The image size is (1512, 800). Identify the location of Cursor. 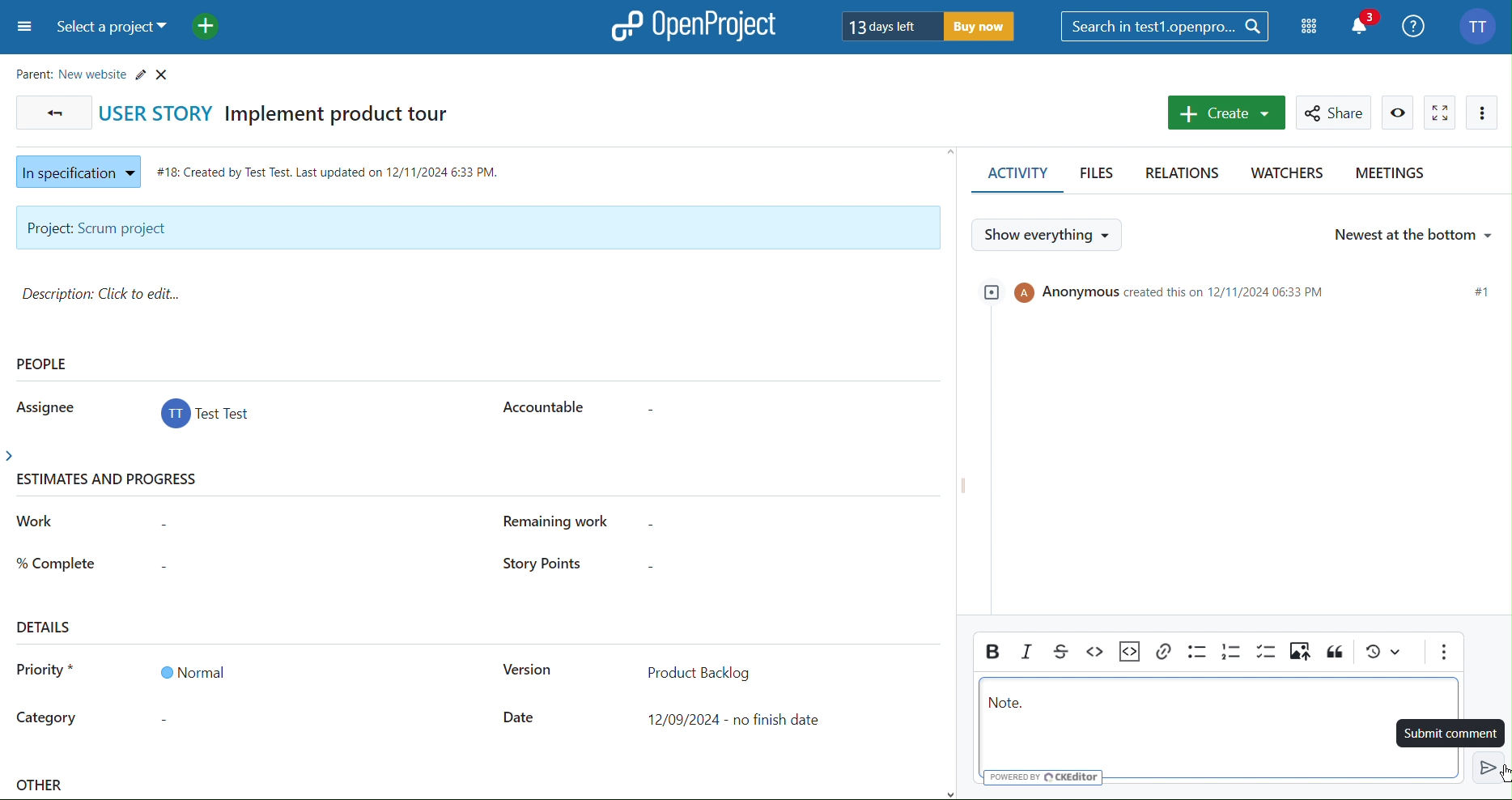
(1503, 775).